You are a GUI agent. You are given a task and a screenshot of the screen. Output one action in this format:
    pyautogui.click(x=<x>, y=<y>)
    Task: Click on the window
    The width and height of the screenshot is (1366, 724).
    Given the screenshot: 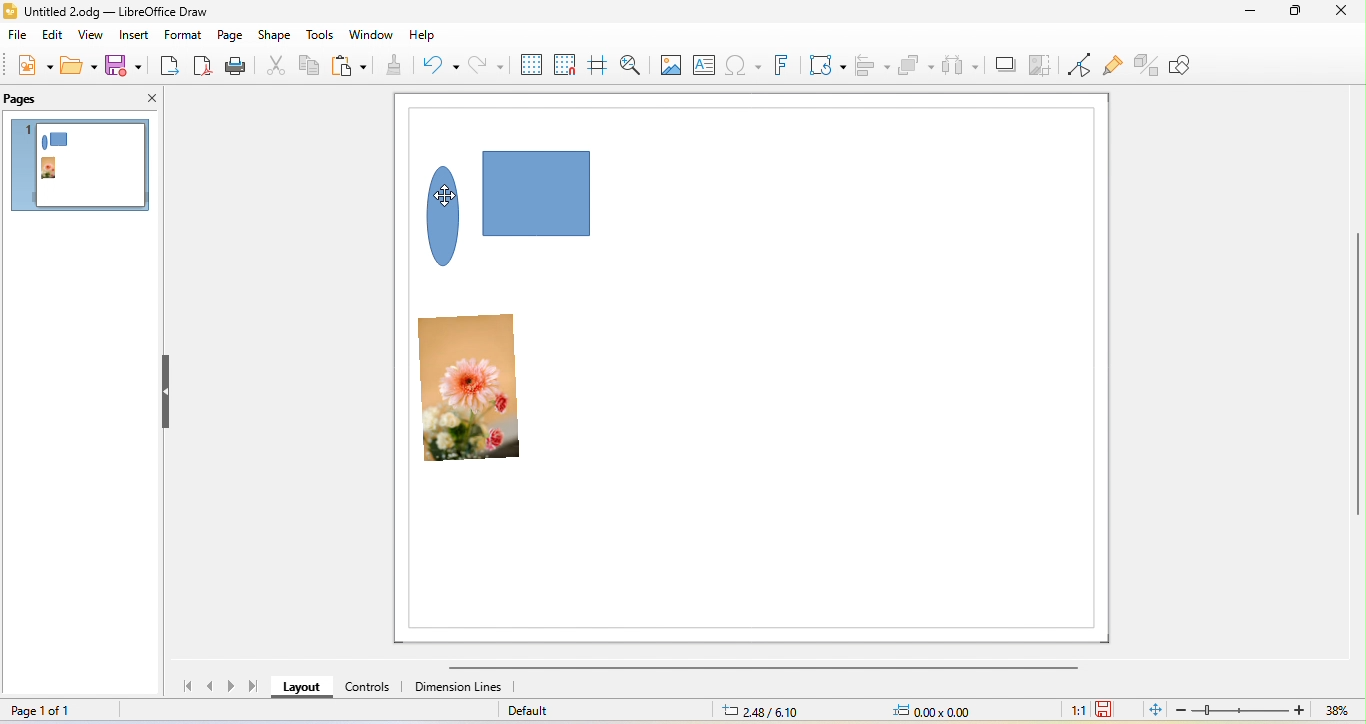 What is the action you would take?
    pyautogui.click(x=371, y=34)
    